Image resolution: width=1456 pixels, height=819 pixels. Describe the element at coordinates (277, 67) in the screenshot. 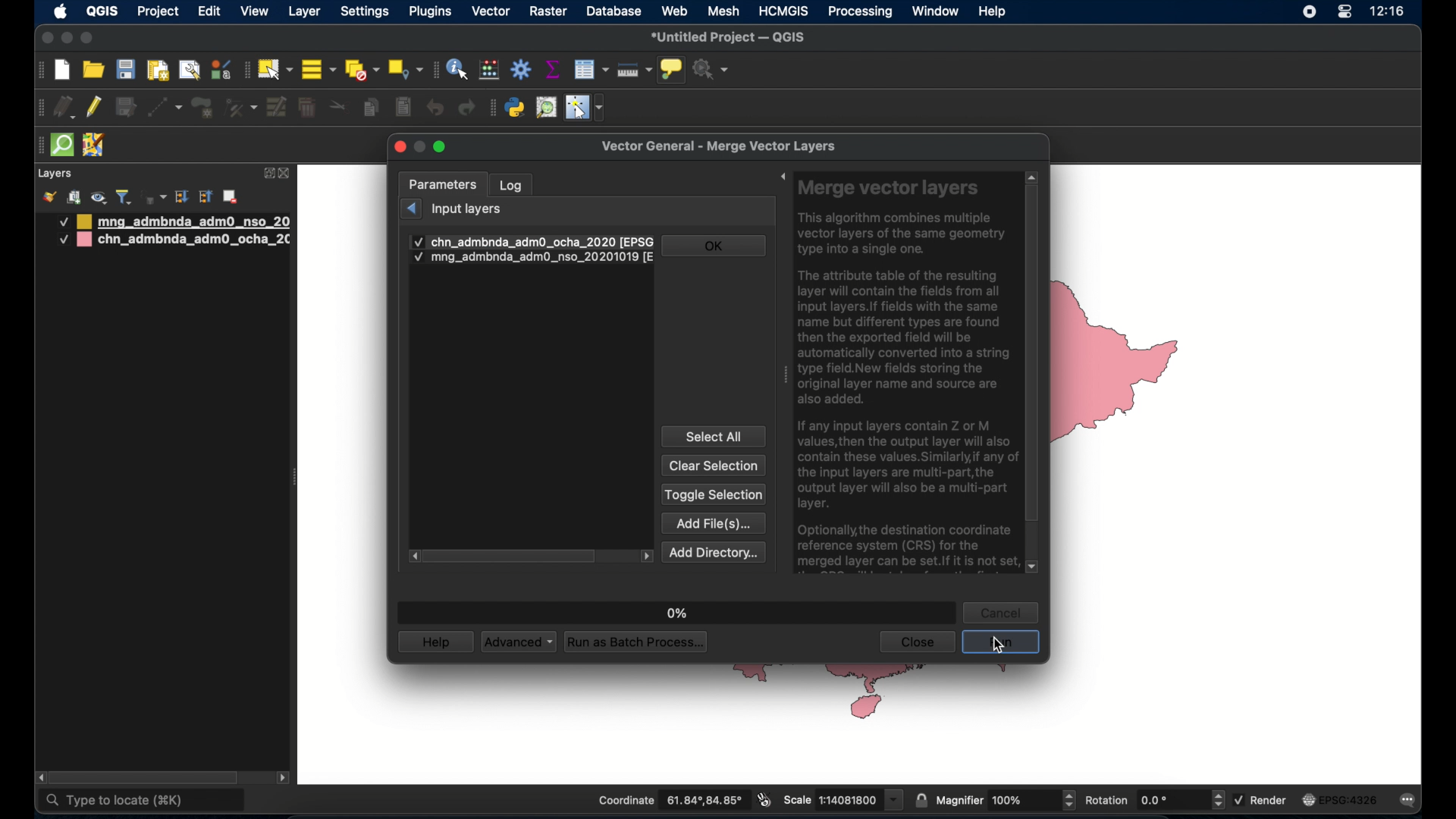

I see `select by area or single click` at that location.